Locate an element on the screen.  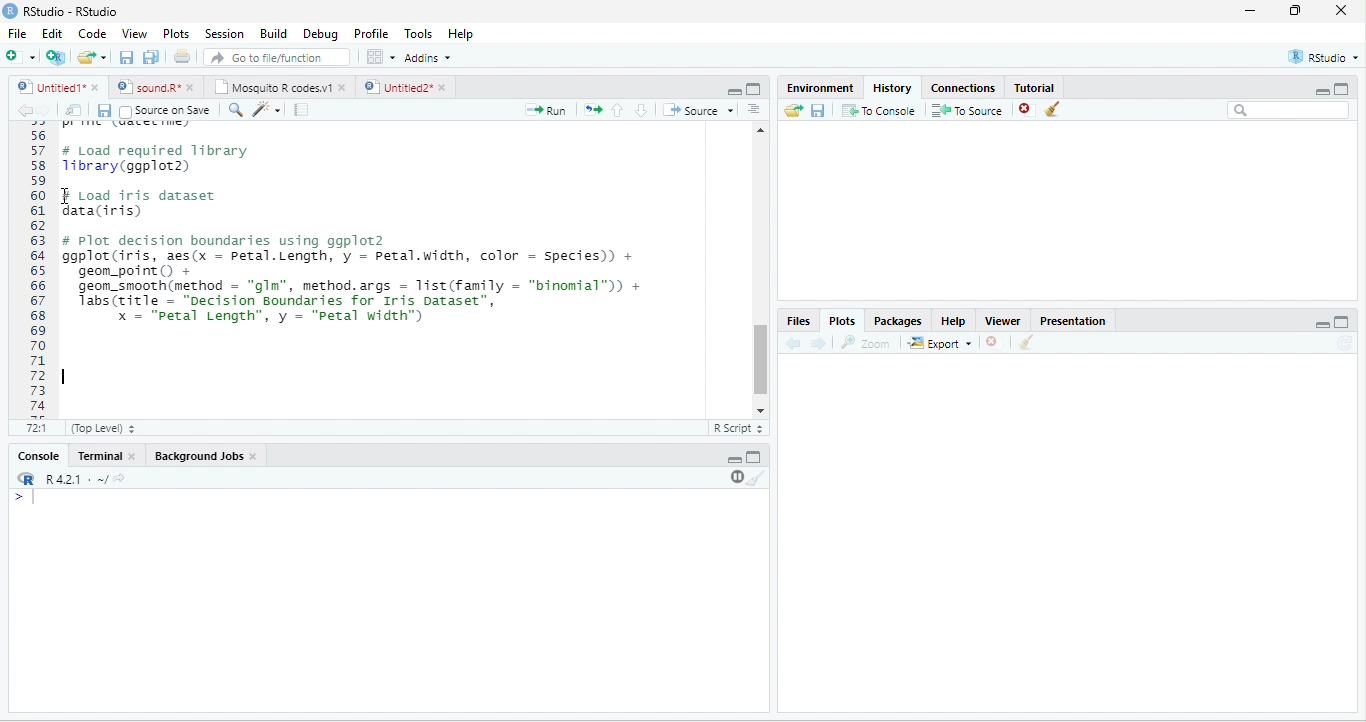
Terminal is located at coordinates (97, 455).